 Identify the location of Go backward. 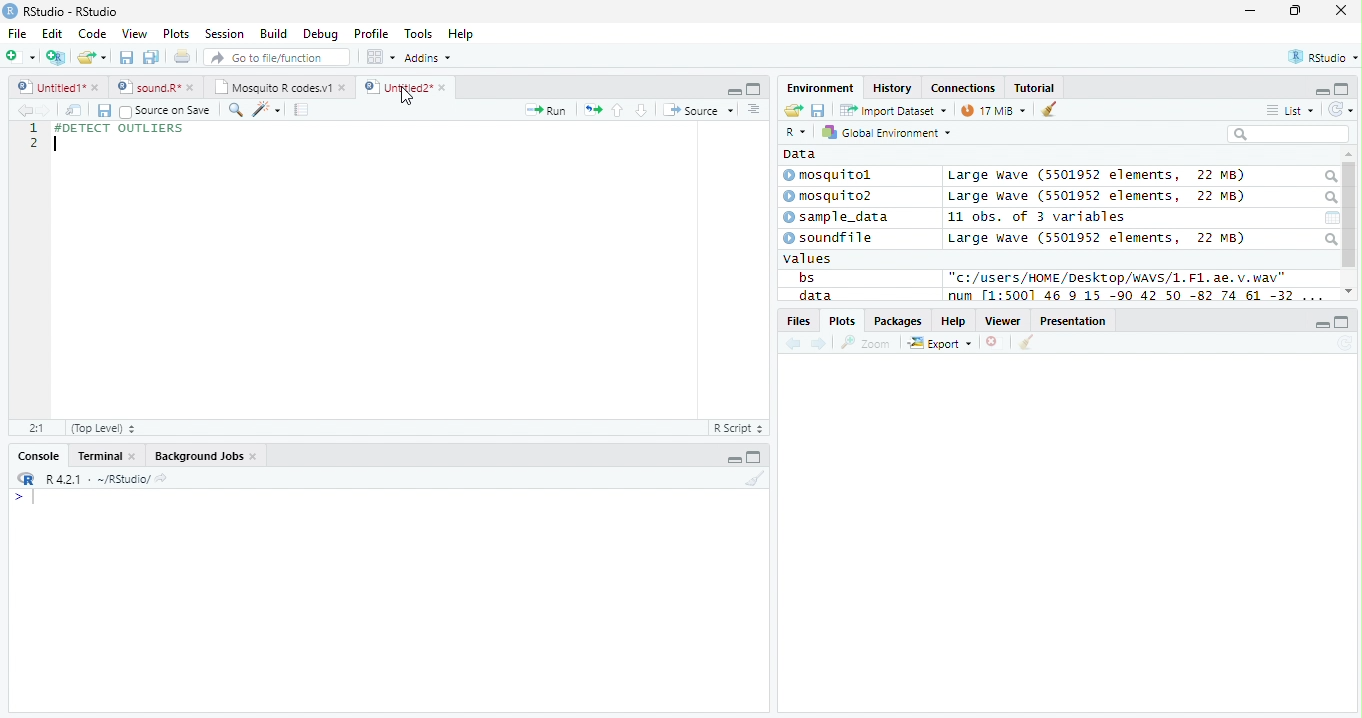
(794, 345).